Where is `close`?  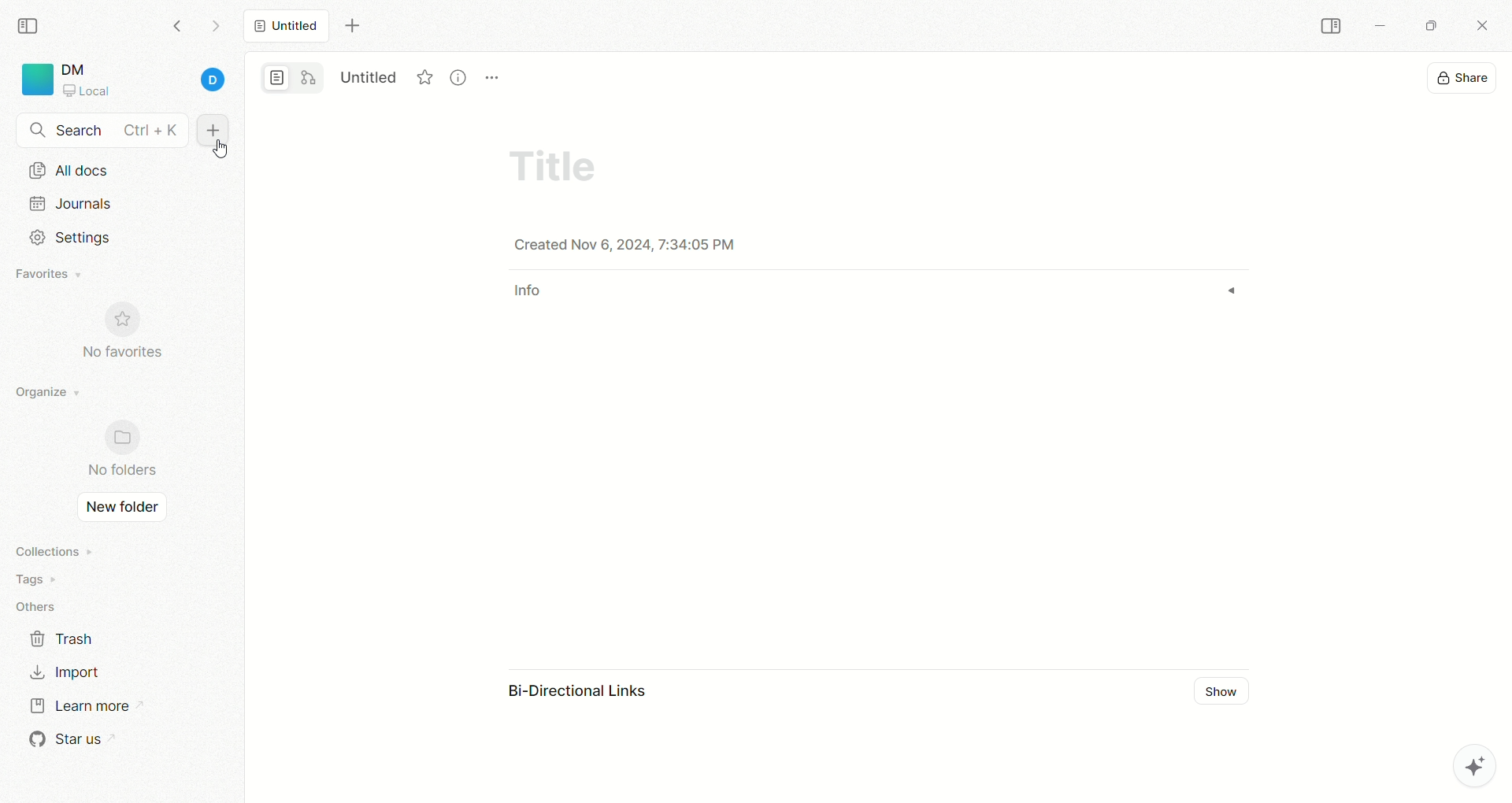 close is located at coordinates (1485, 28).